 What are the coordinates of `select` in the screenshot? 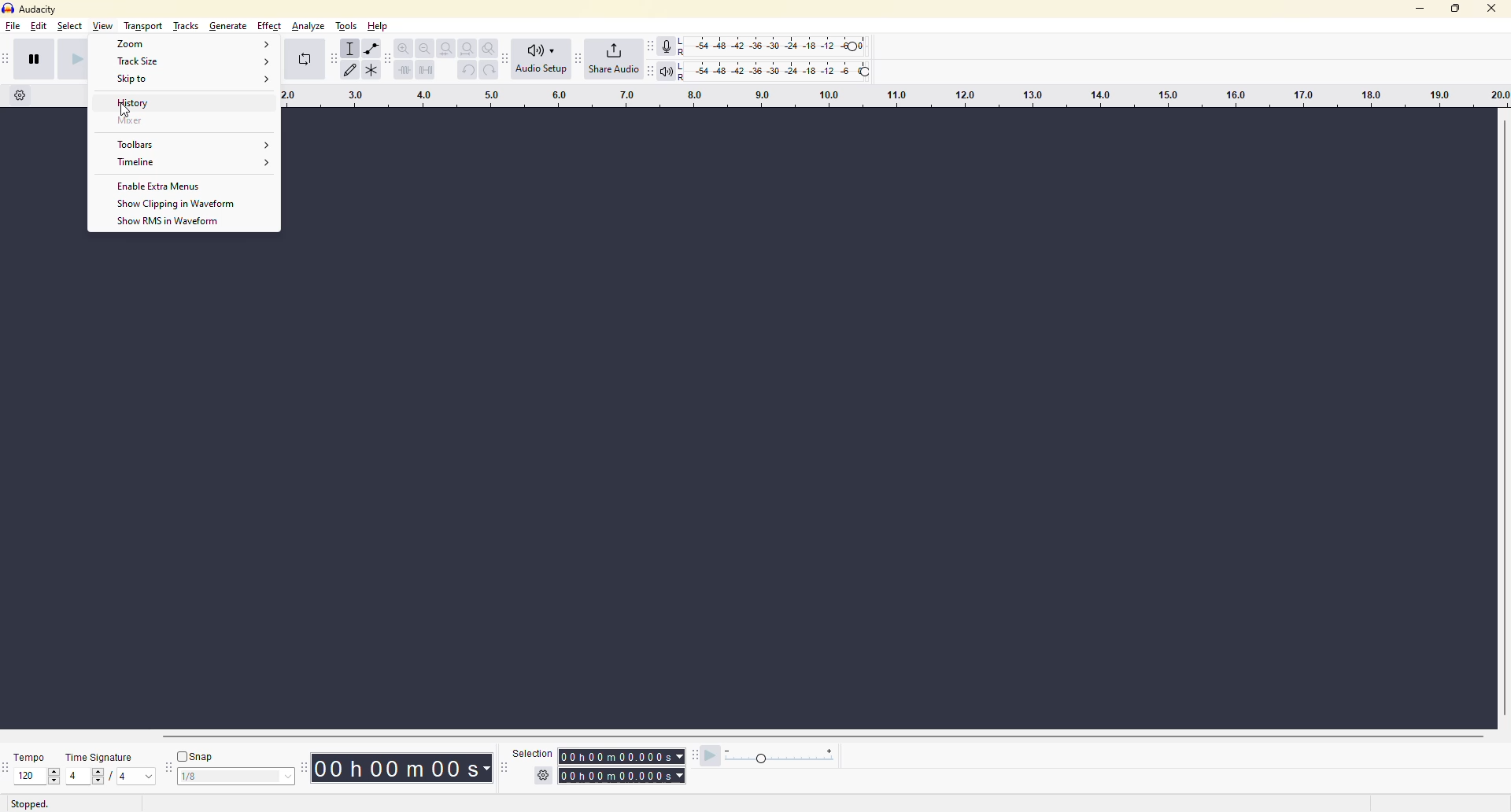 It's located at (72, 28).